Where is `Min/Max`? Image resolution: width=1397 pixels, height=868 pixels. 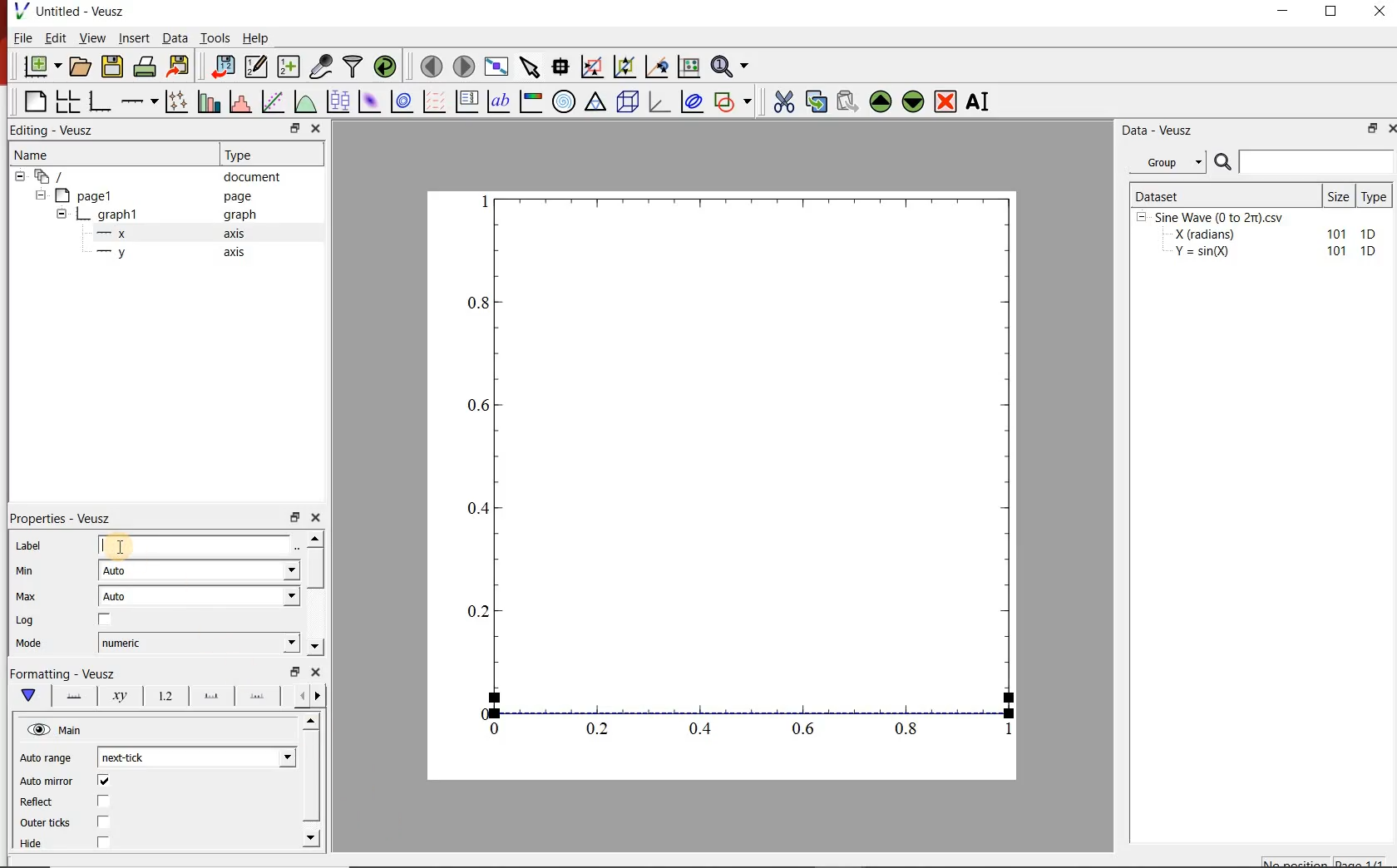
Min/Max is located at coordinates (293, 129).